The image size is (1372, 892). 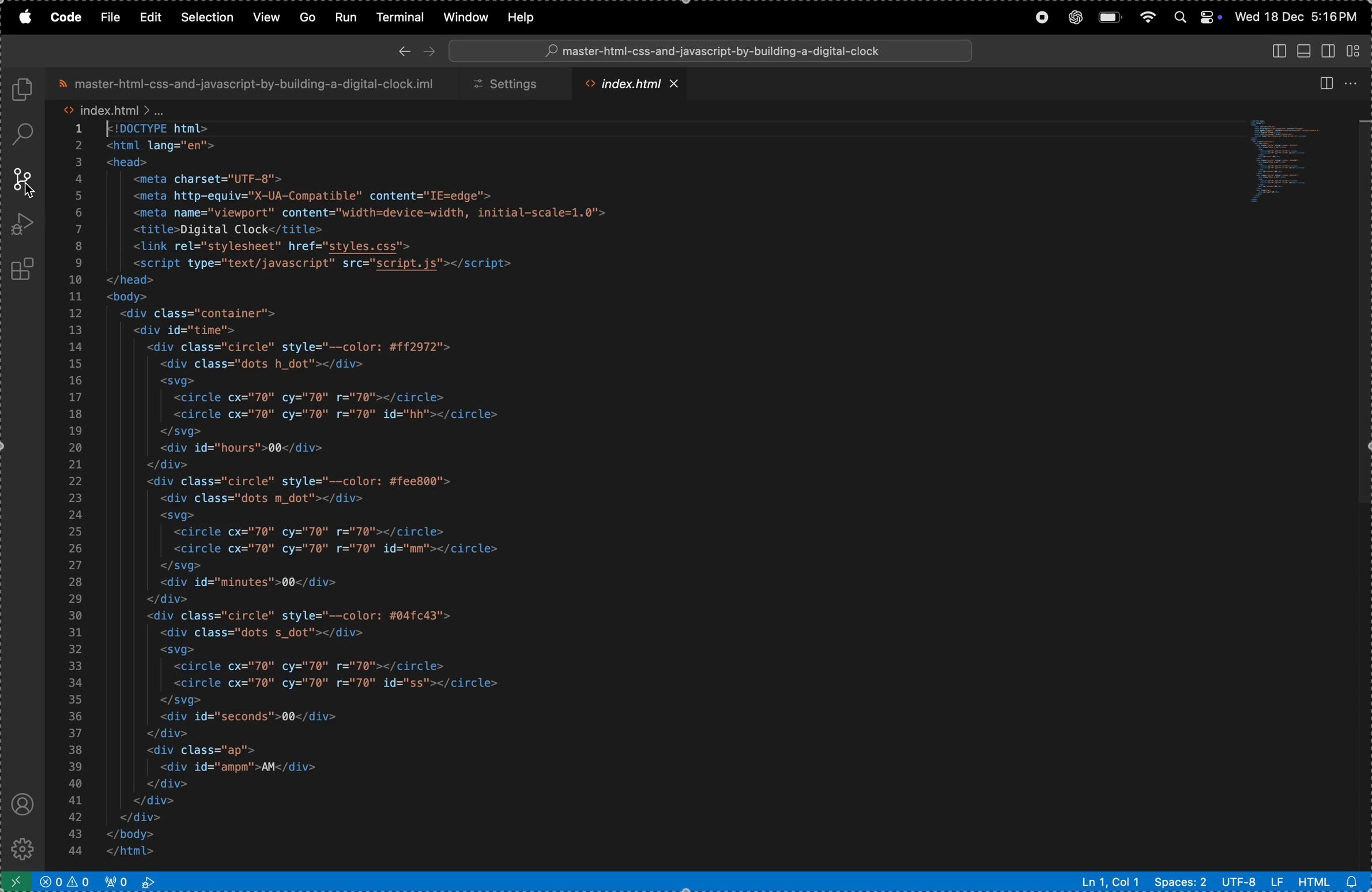 What do you see at coordinates (260, 499) in the screenshot?
I see `<div class="dots m_dot"></div>` at bounding box center [260, 499].